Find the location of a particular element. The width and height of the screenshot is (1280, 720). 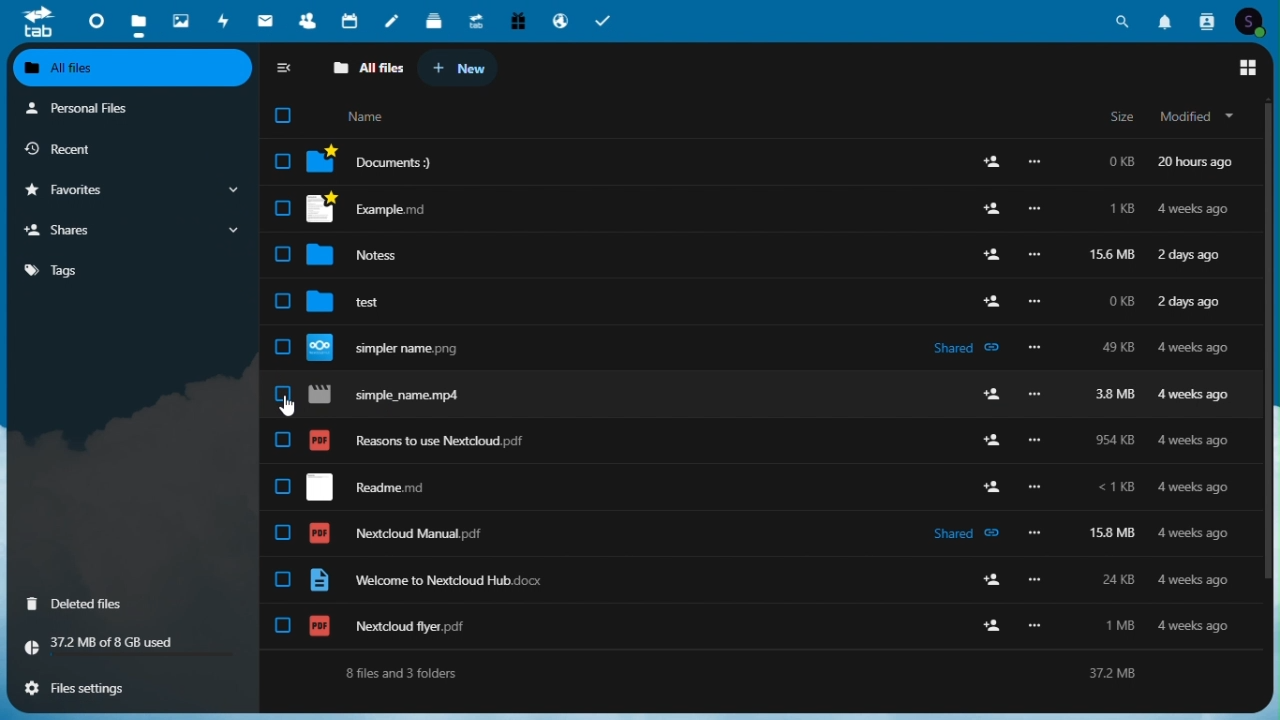

notes is located at coordinates (393, 22).